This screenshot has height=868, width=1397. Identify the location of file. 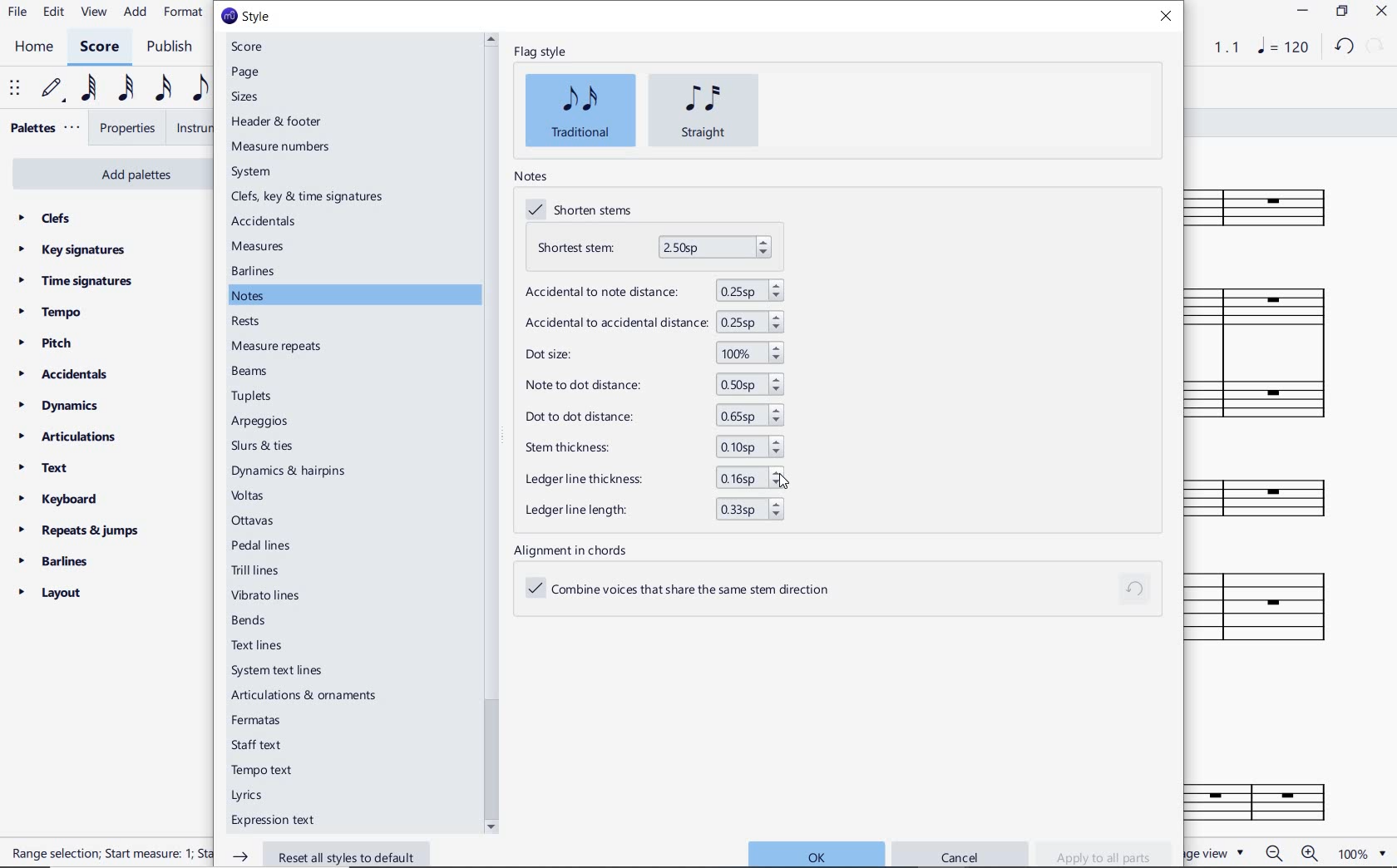
(18, 12).